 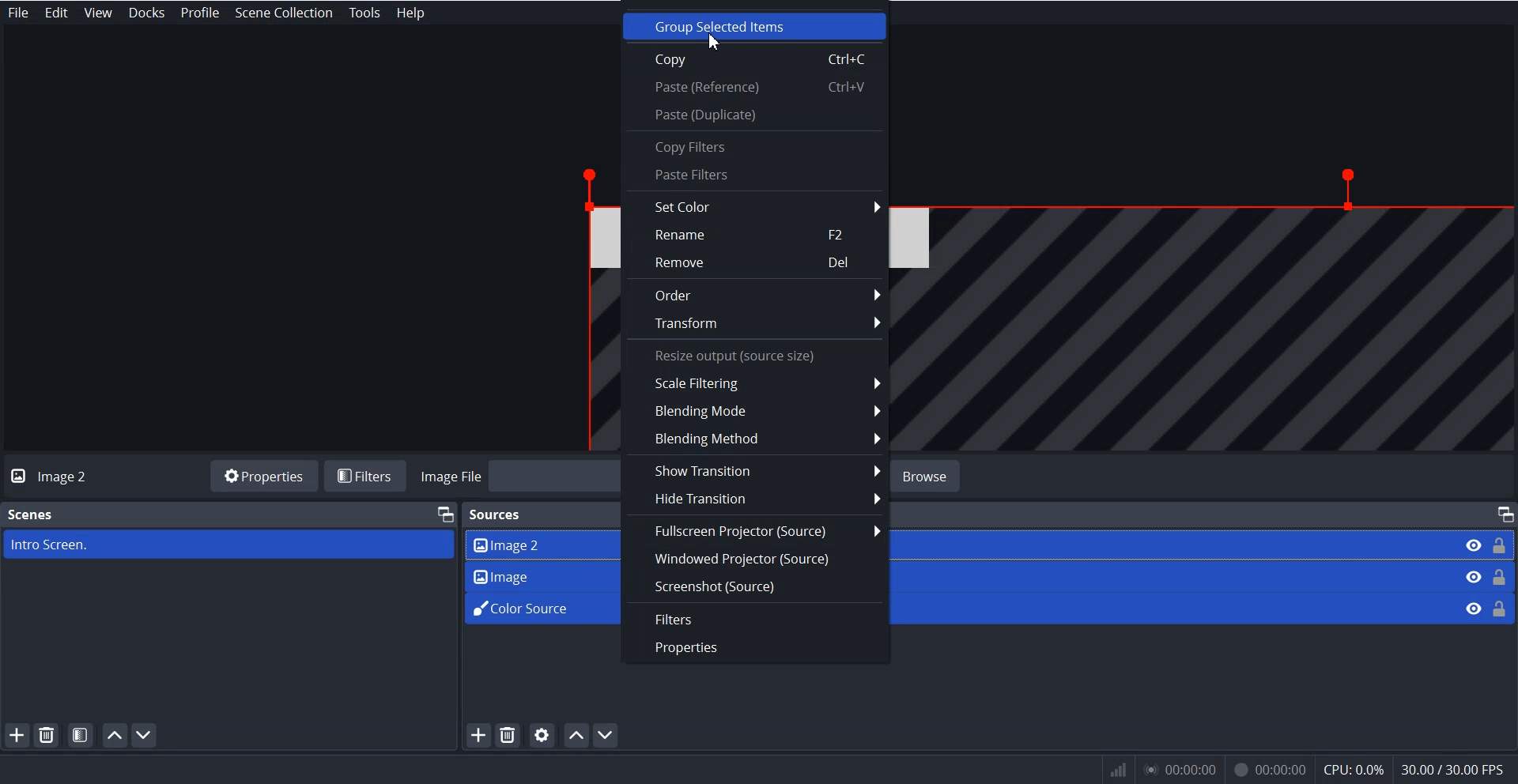 What do you see at coordinates (146, 13) in the screenshot?
I see `Docks` at bounding box center [146, 13].